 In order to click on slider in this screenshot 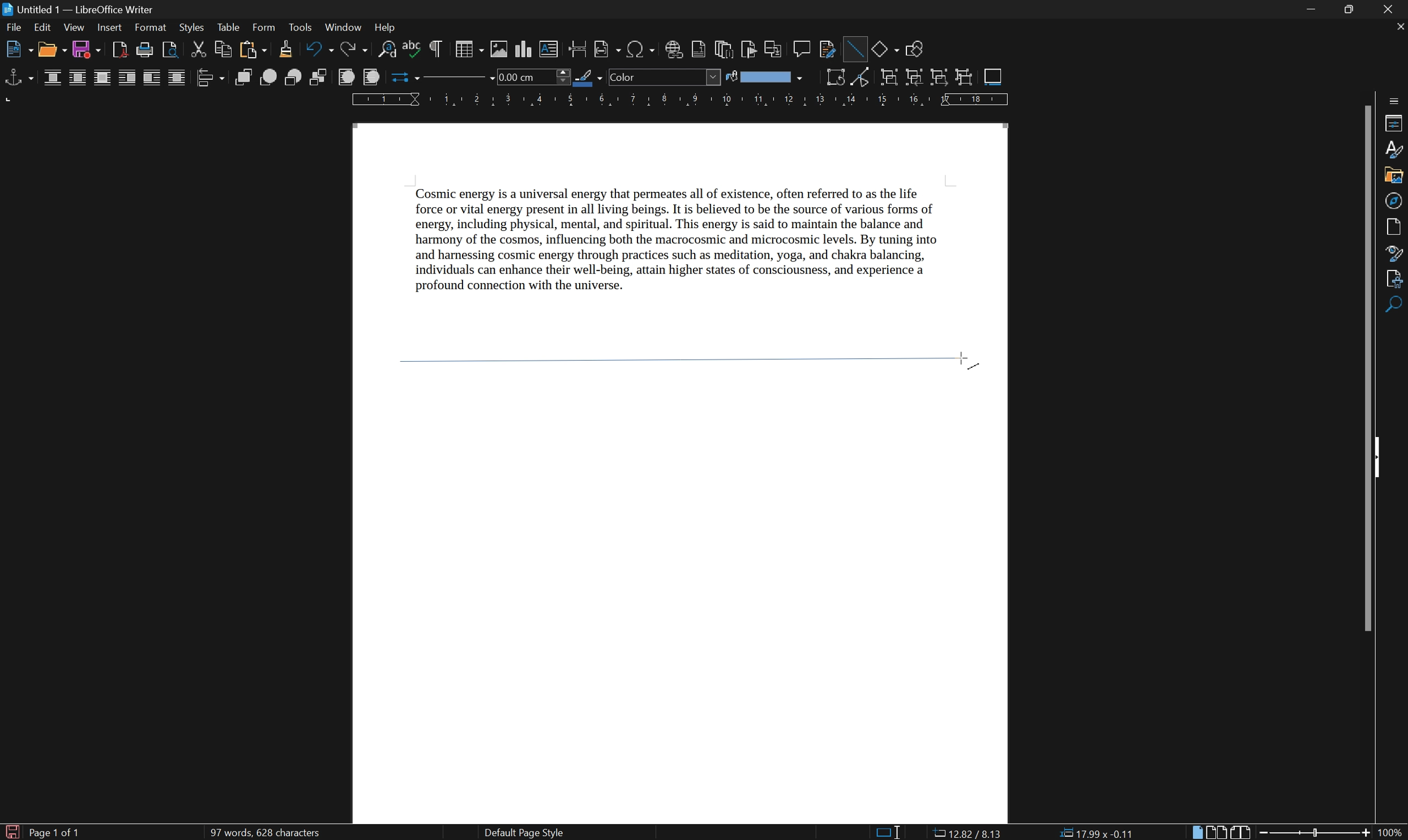, I will do `click(1317, 832)`.